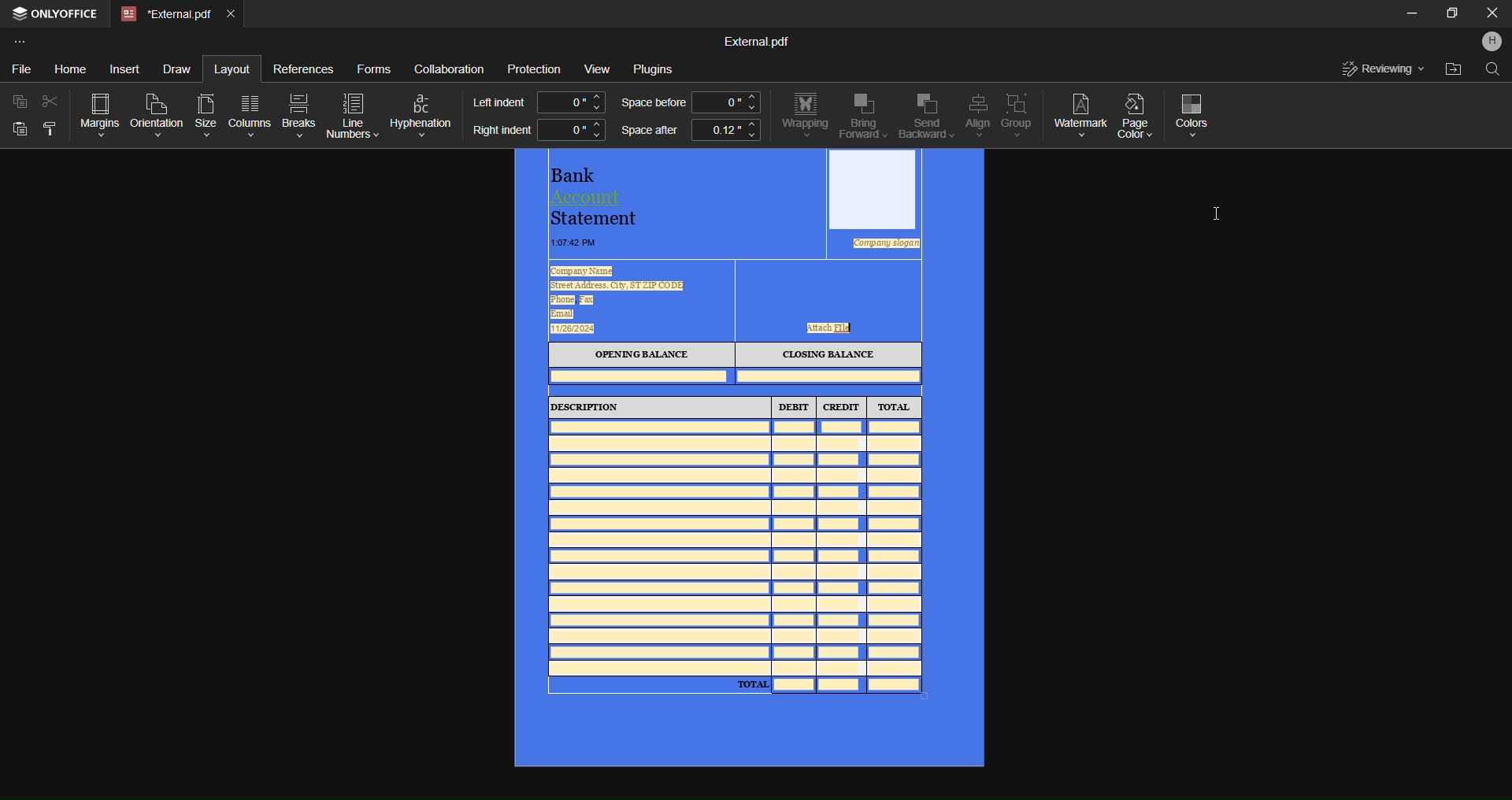  Describe the element at coordinates (299, 115) in the screenshot. I see `Breaks` at that location.